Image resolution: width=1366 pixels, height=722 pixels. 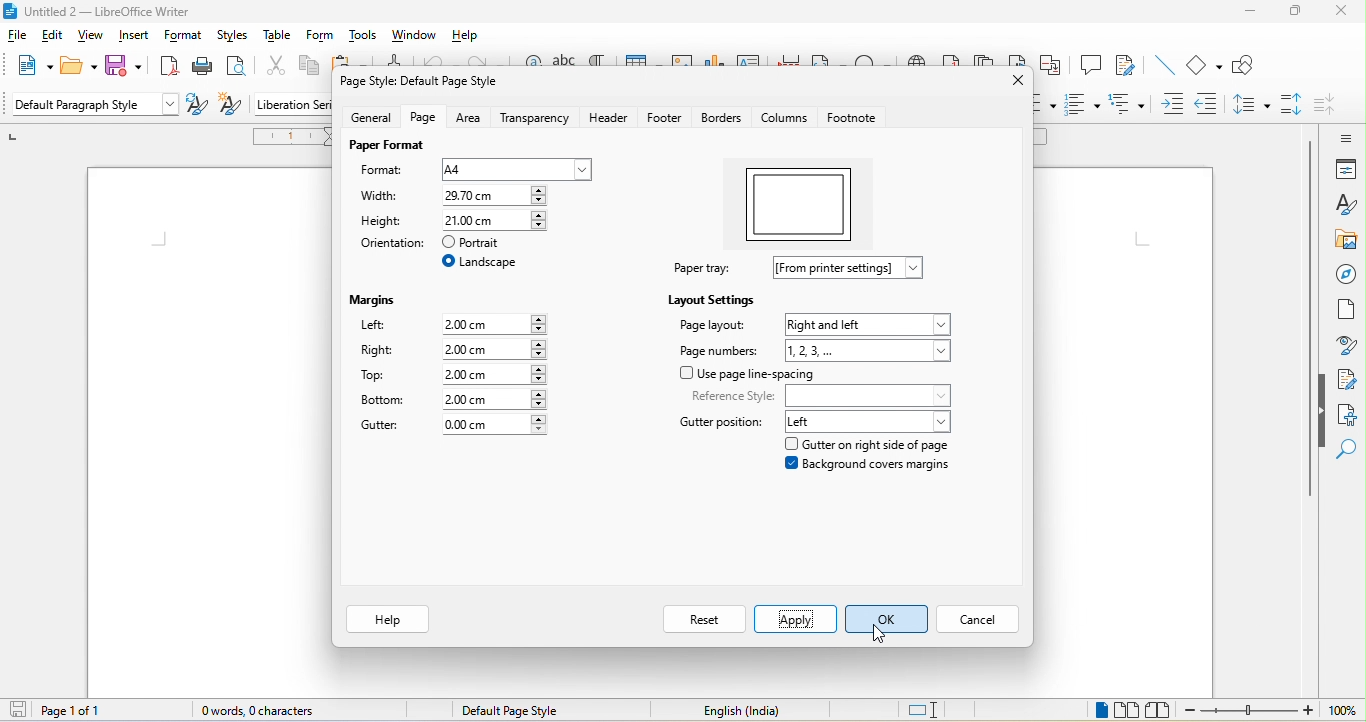 I want to click on columns, so click(x=785, y=118).